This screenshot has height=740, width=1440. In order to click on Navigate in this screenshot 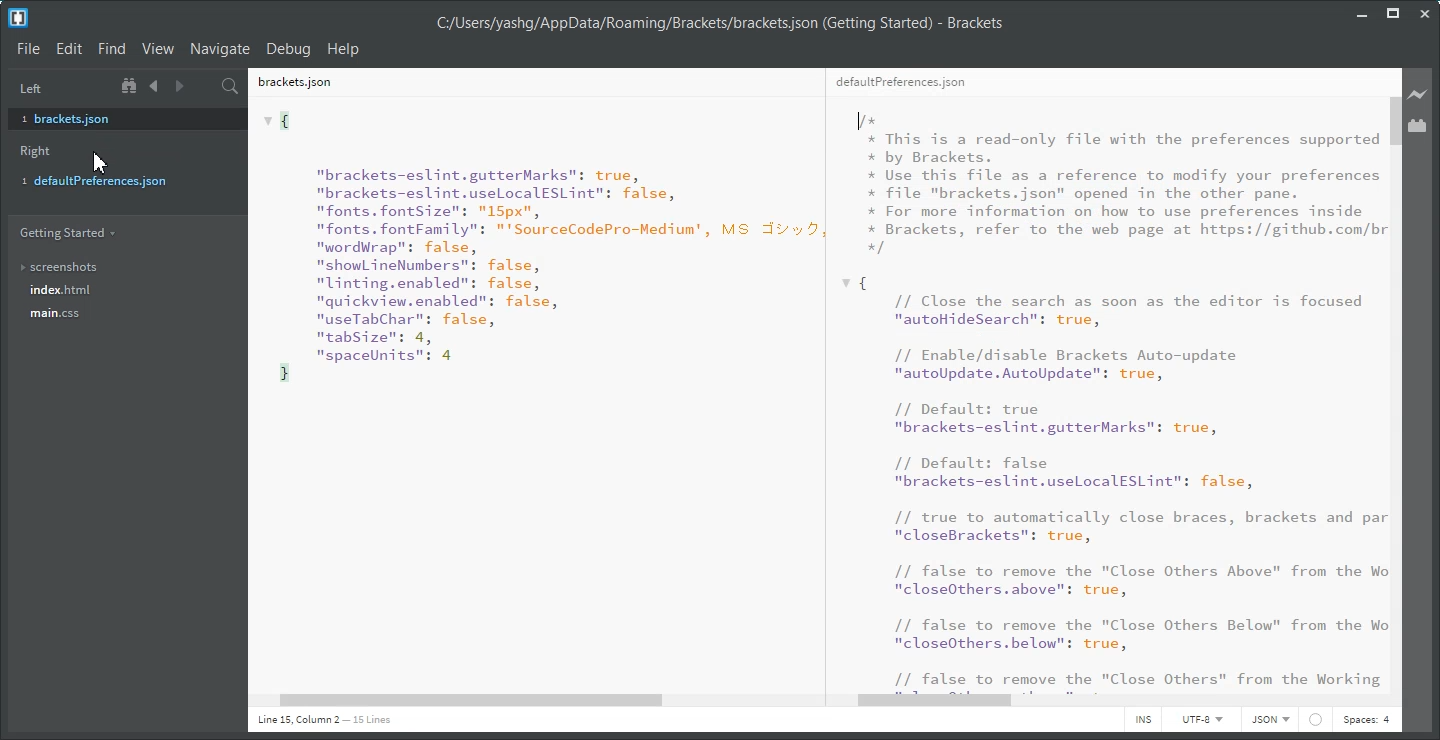, I will do `click(220, 48)`.